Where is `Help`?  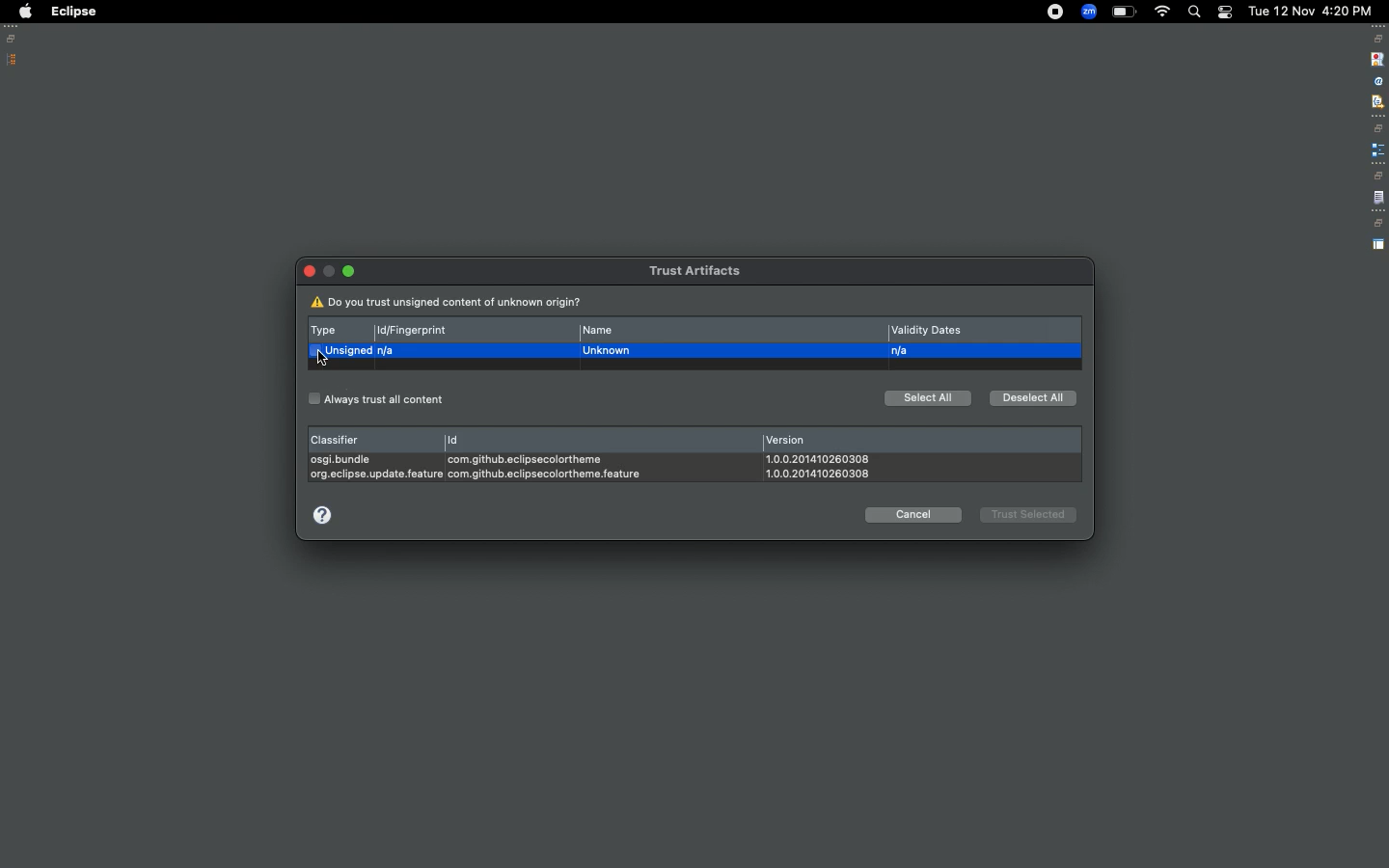 Help is located at coordinates (323, 513).